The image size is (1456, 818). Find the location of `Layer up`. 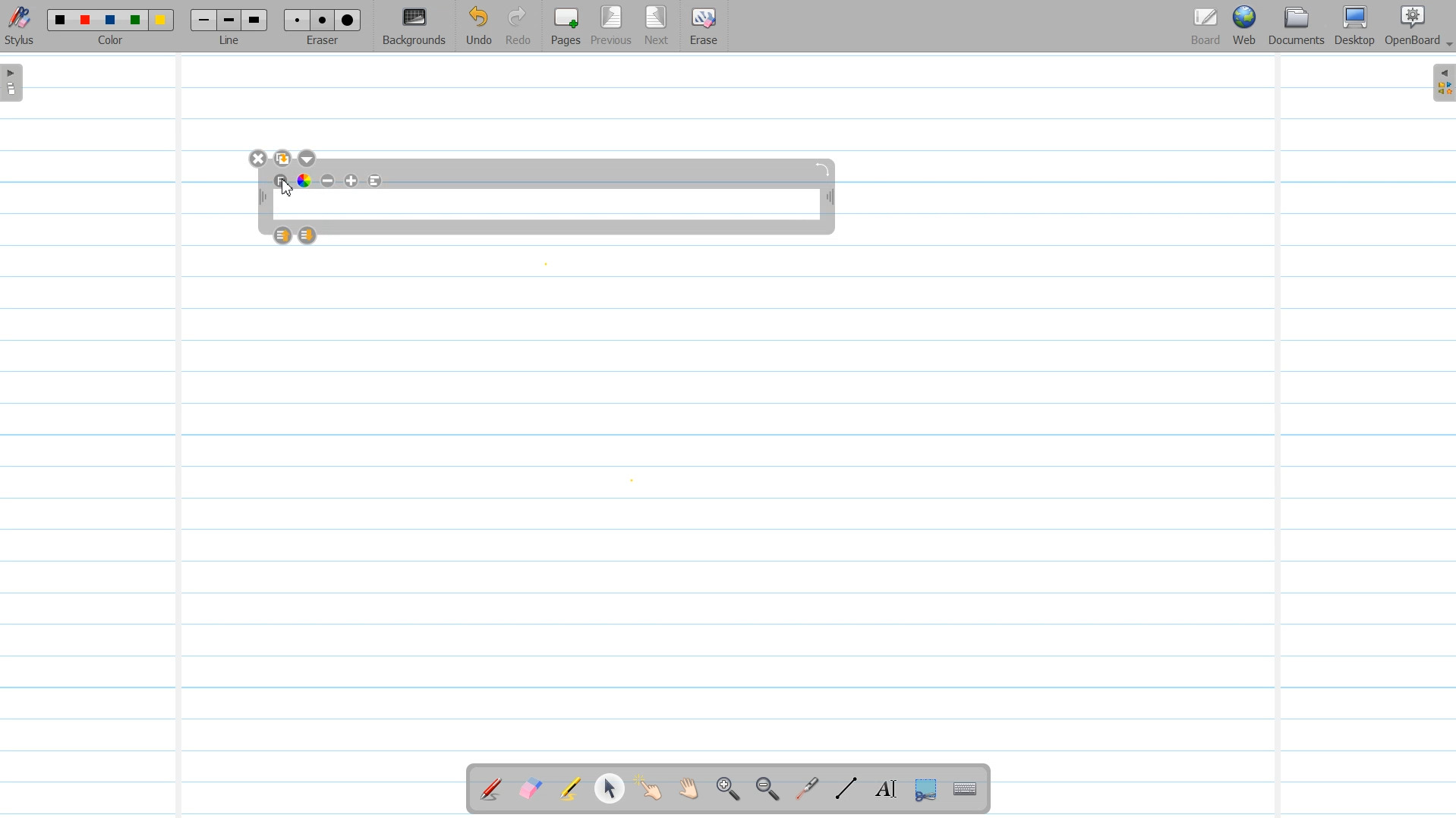

Layer up is located at coordinates (284, 235).